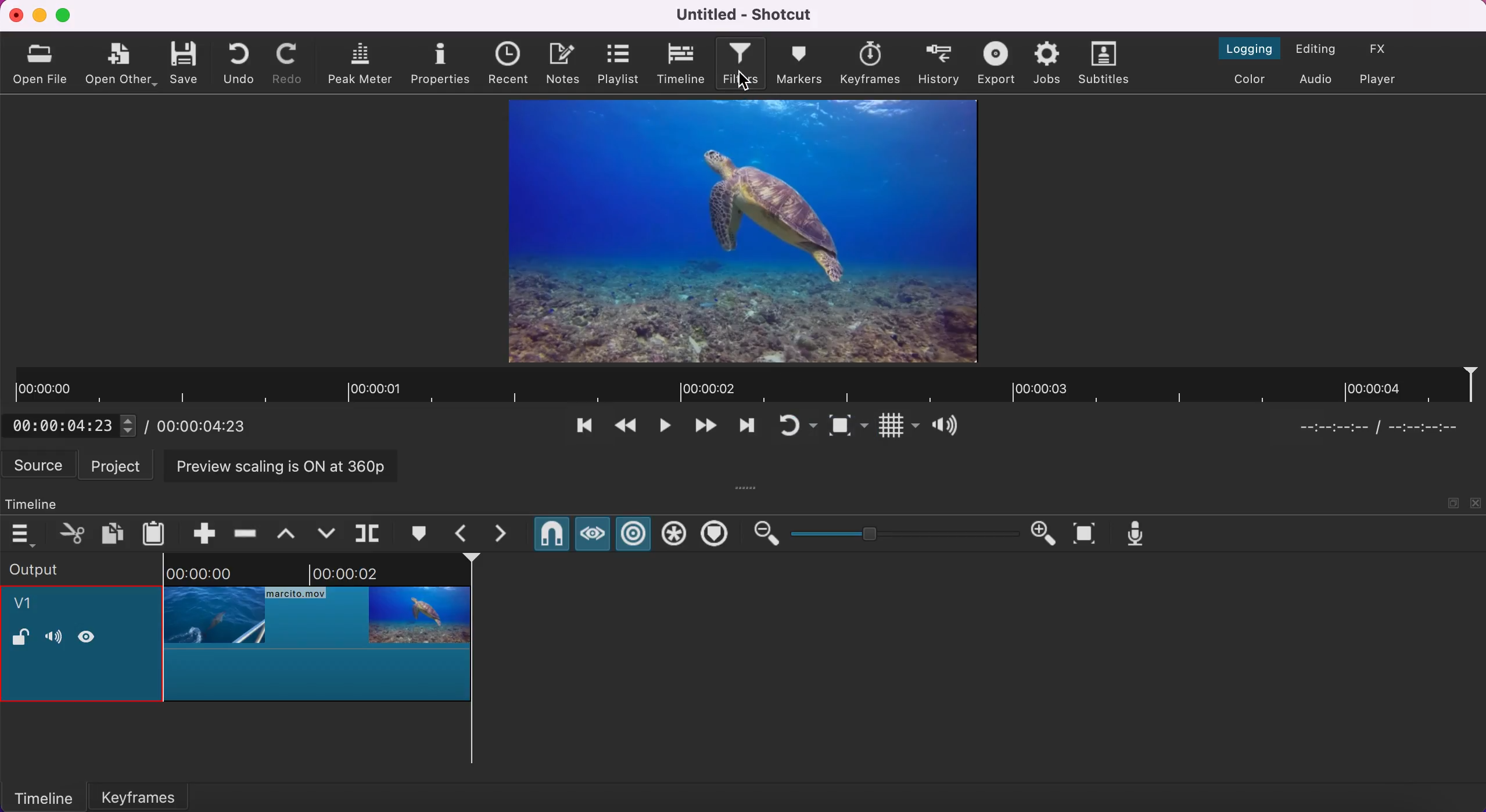 The width and height of the screenshot is (1486, 812). Describe the element at coordinates (848, 428) in the screenshot. I see `toggle zoom` at that location.